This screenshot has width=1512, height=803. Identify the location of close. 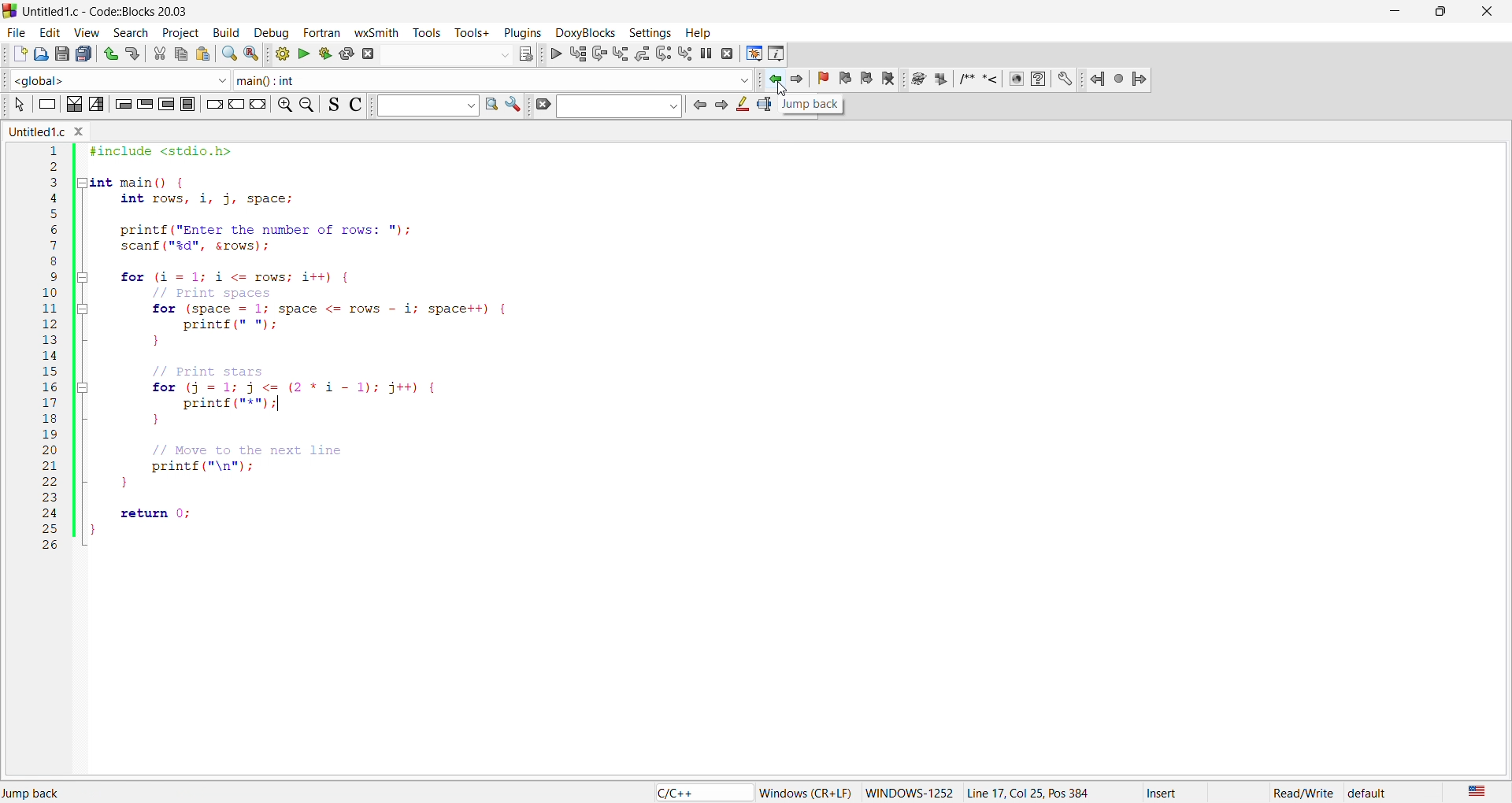
(1484, 9).